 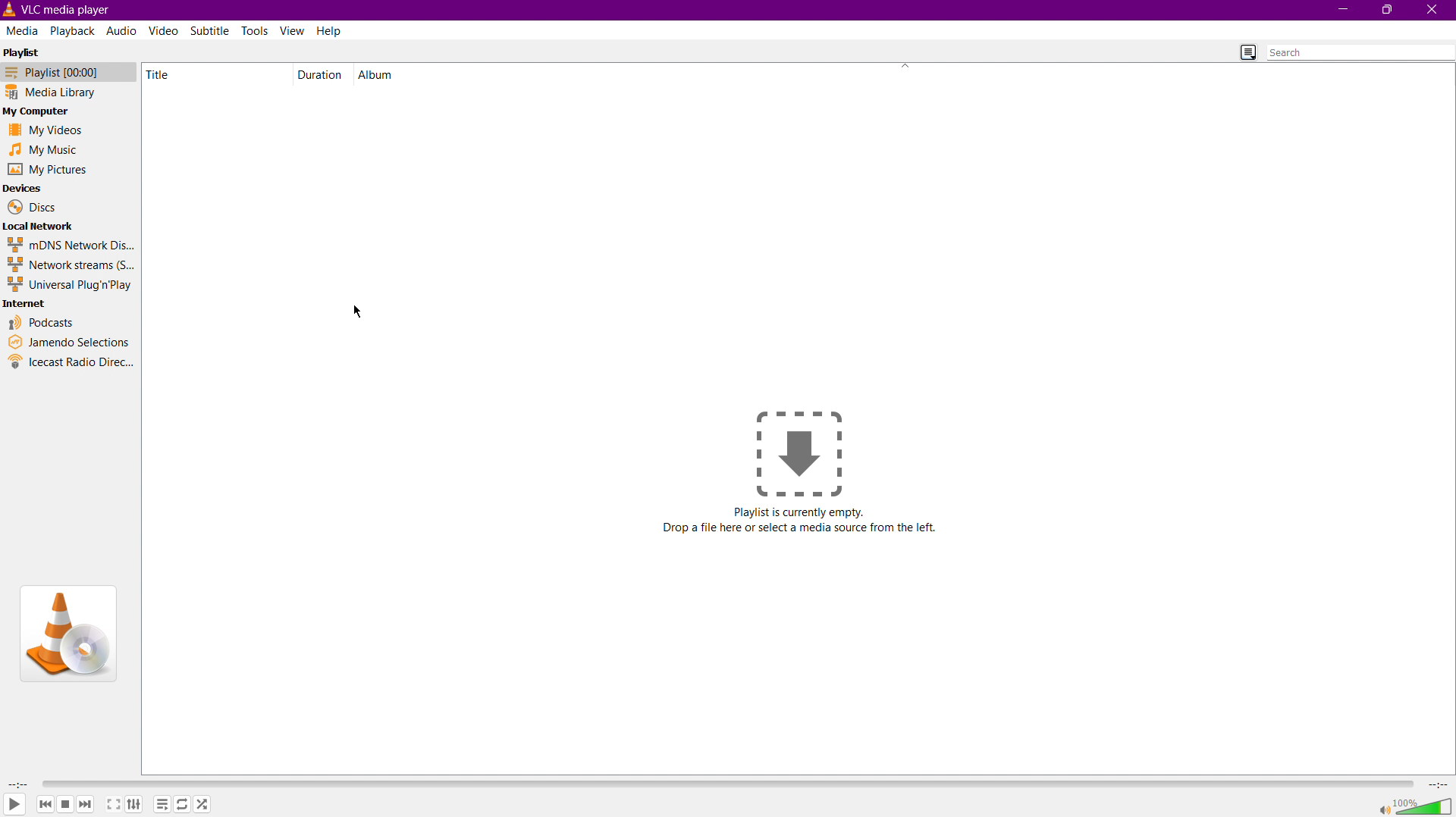 What do you see at coordinates (1416, 804) in the screenshot?
I see `Volume 100%` at bounding box center [1416, 804].